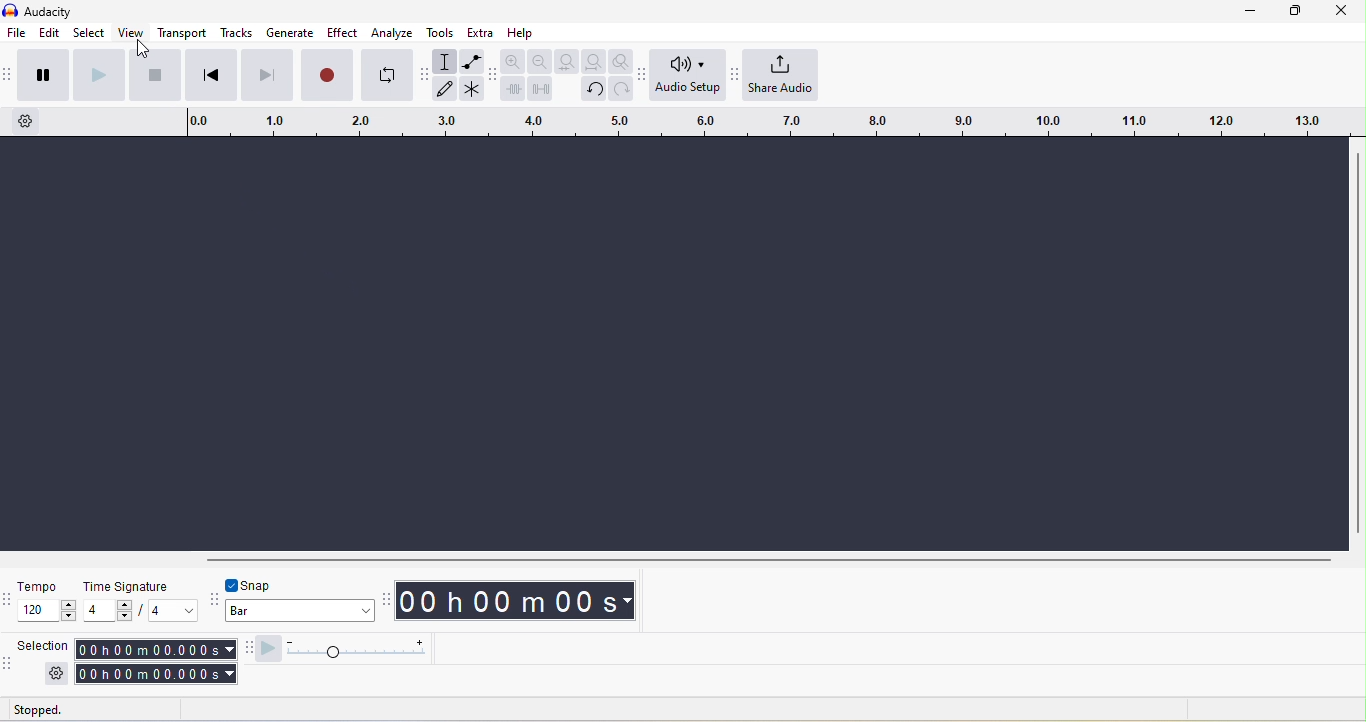 The width and height of the screenshot is (1366, 722). Describe the element at coordinates (40, 586) in the screenshot. I see `tempo` at that location.